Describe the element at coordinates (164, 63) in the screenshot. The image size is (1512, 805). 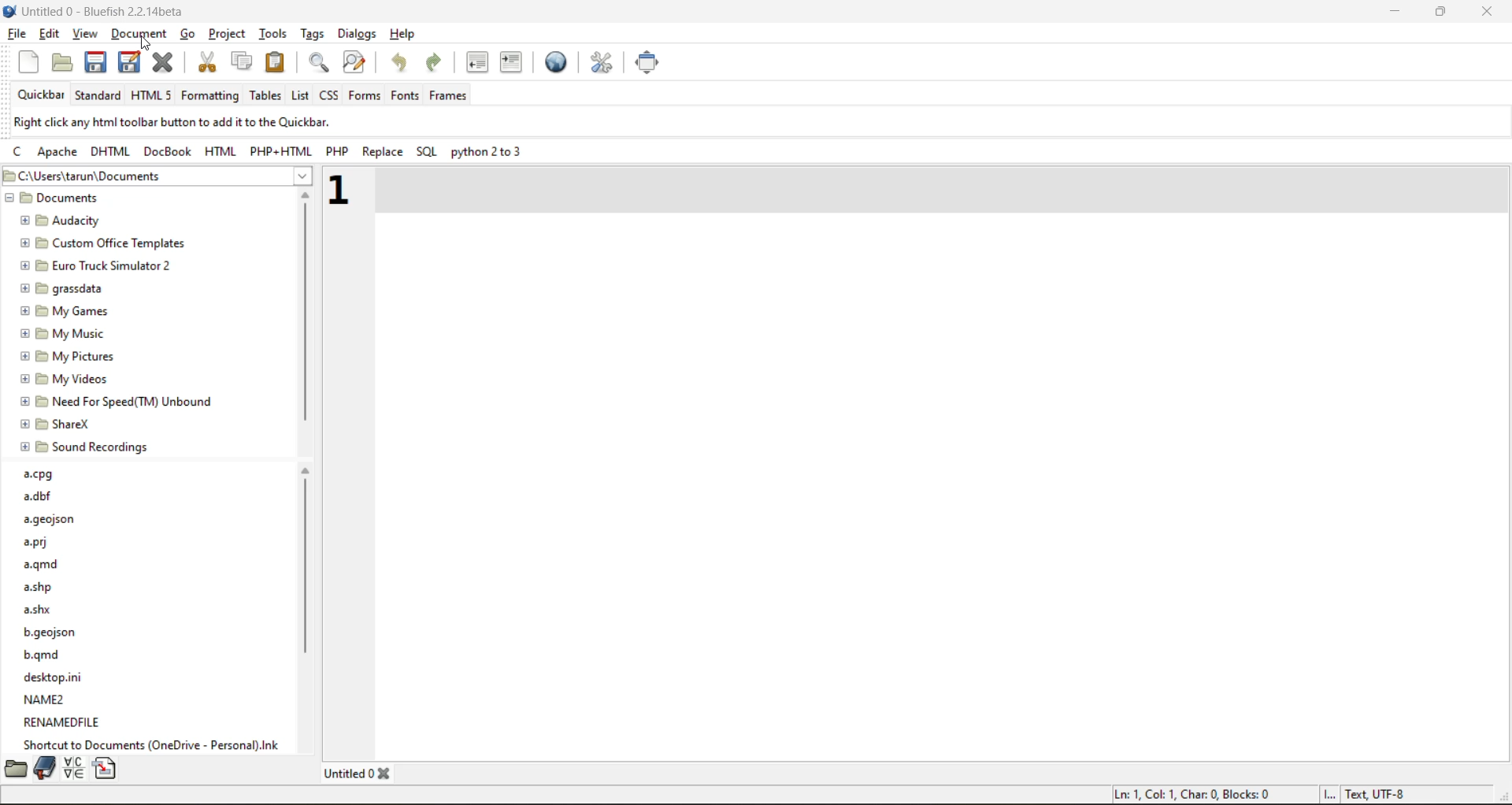
I see `close current file` at that location.